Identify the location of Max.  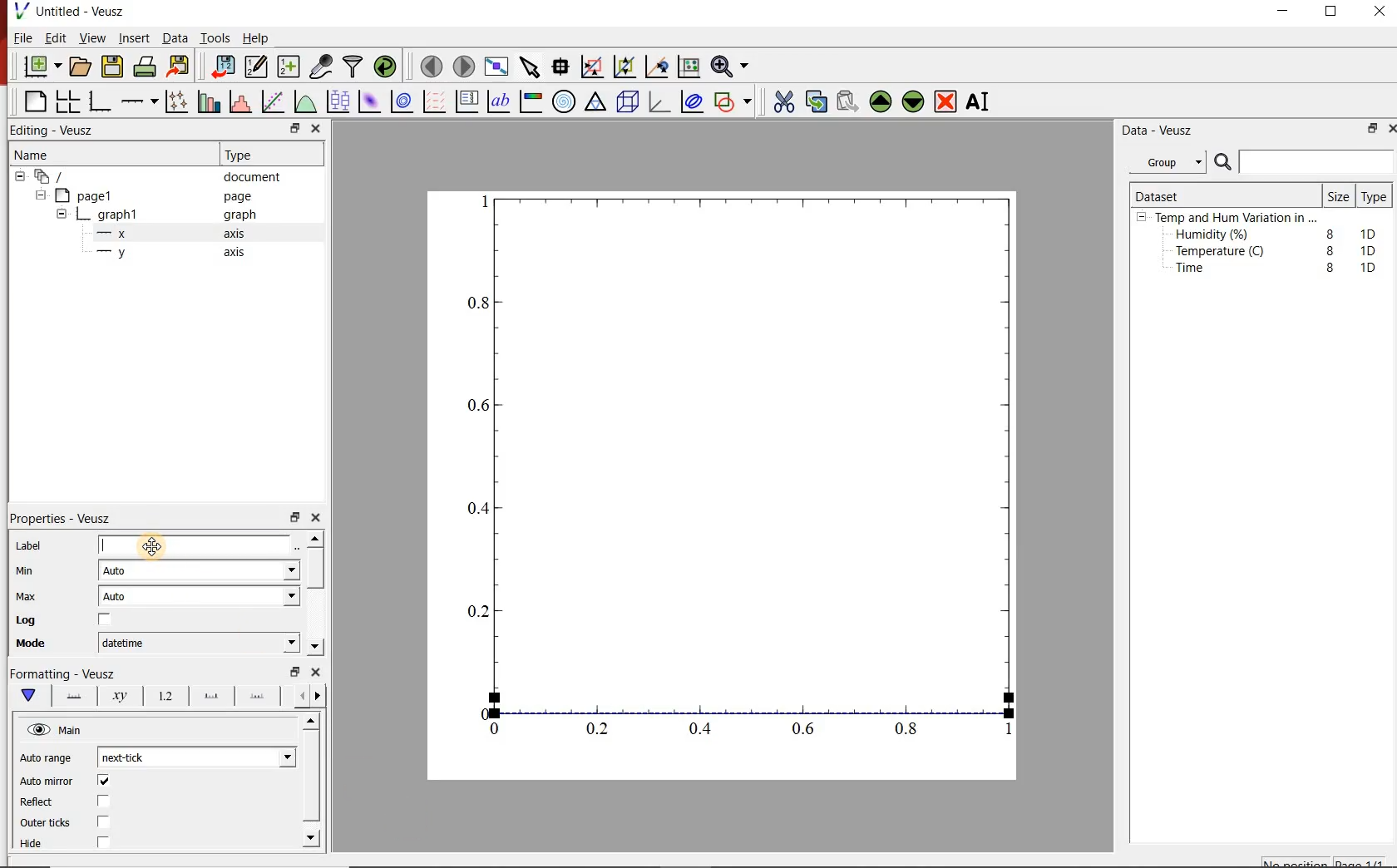
(35, 596).